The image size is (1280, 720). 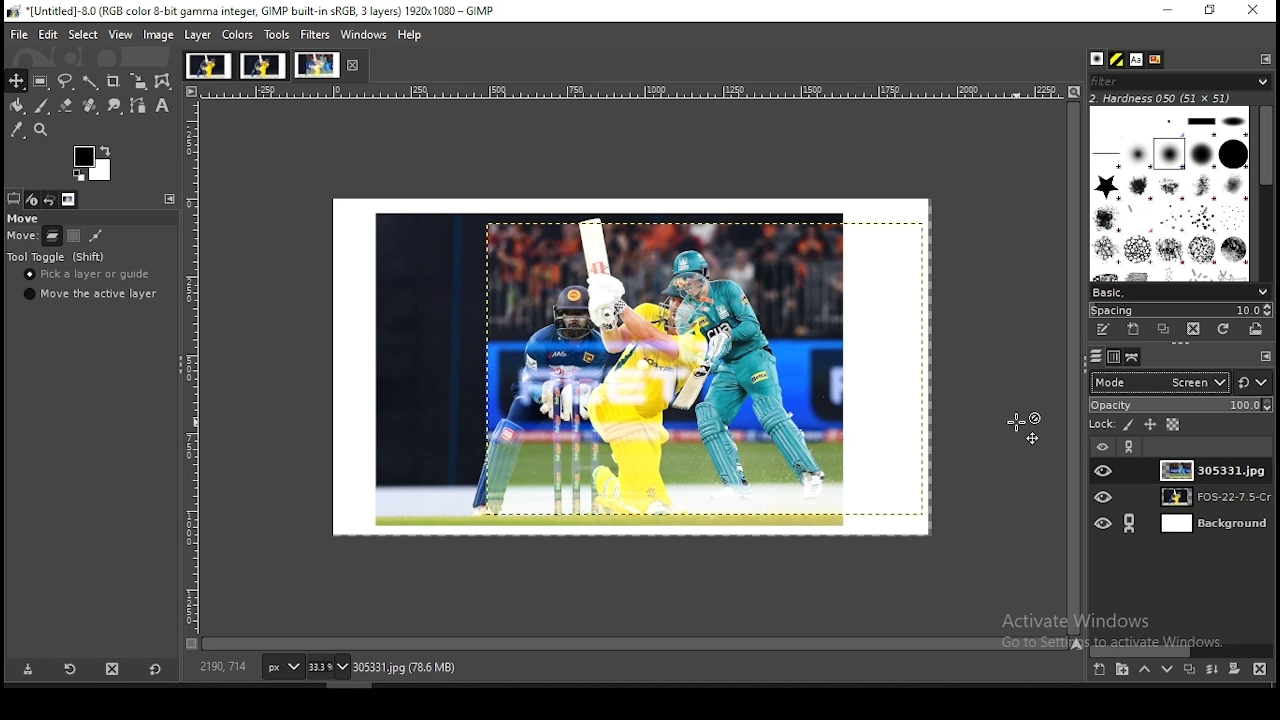 I want to click on undo paths, so click(x=96, y=235).